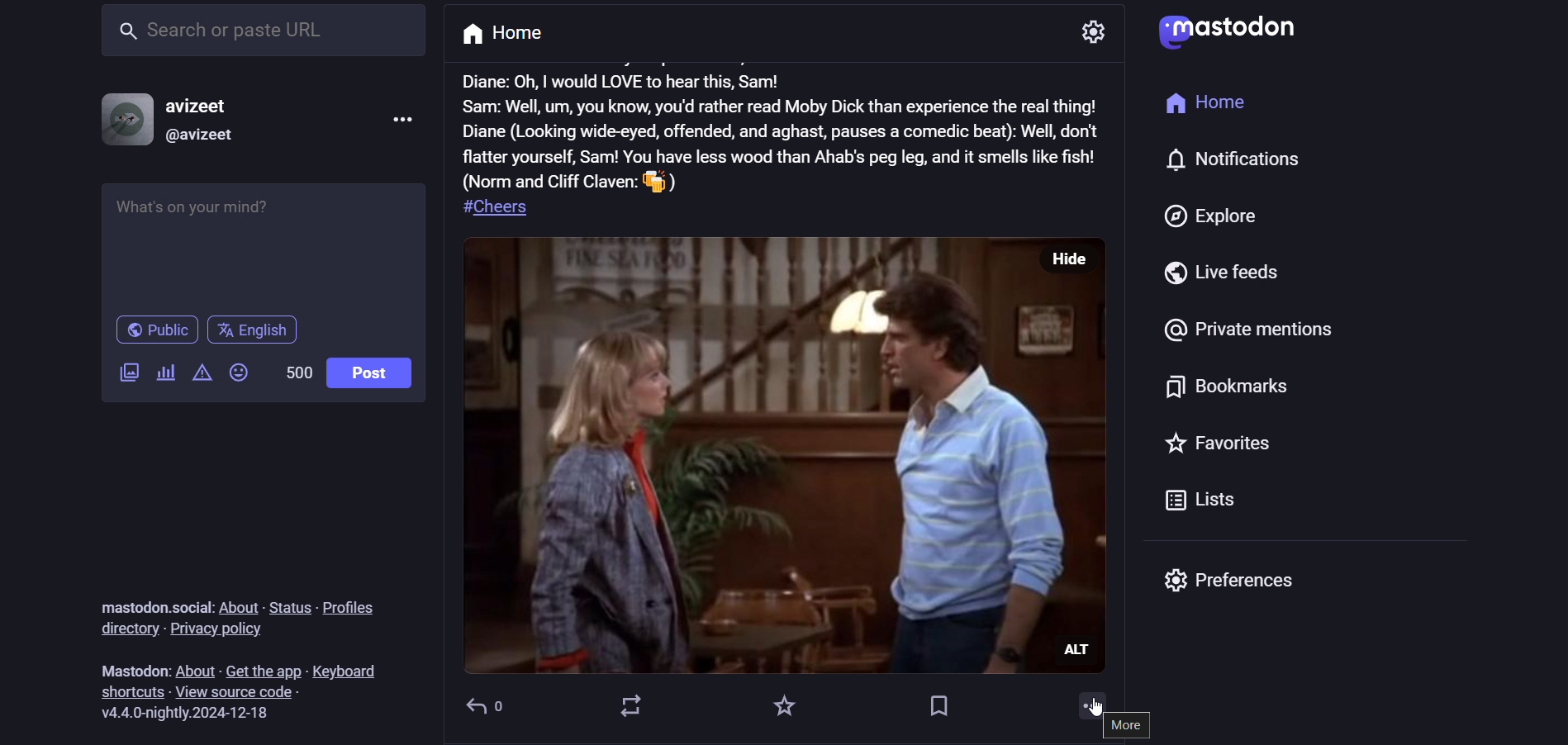  Describe the element at coordinates (1251, 331) in the screenshot. I see `private mentions` at that location.